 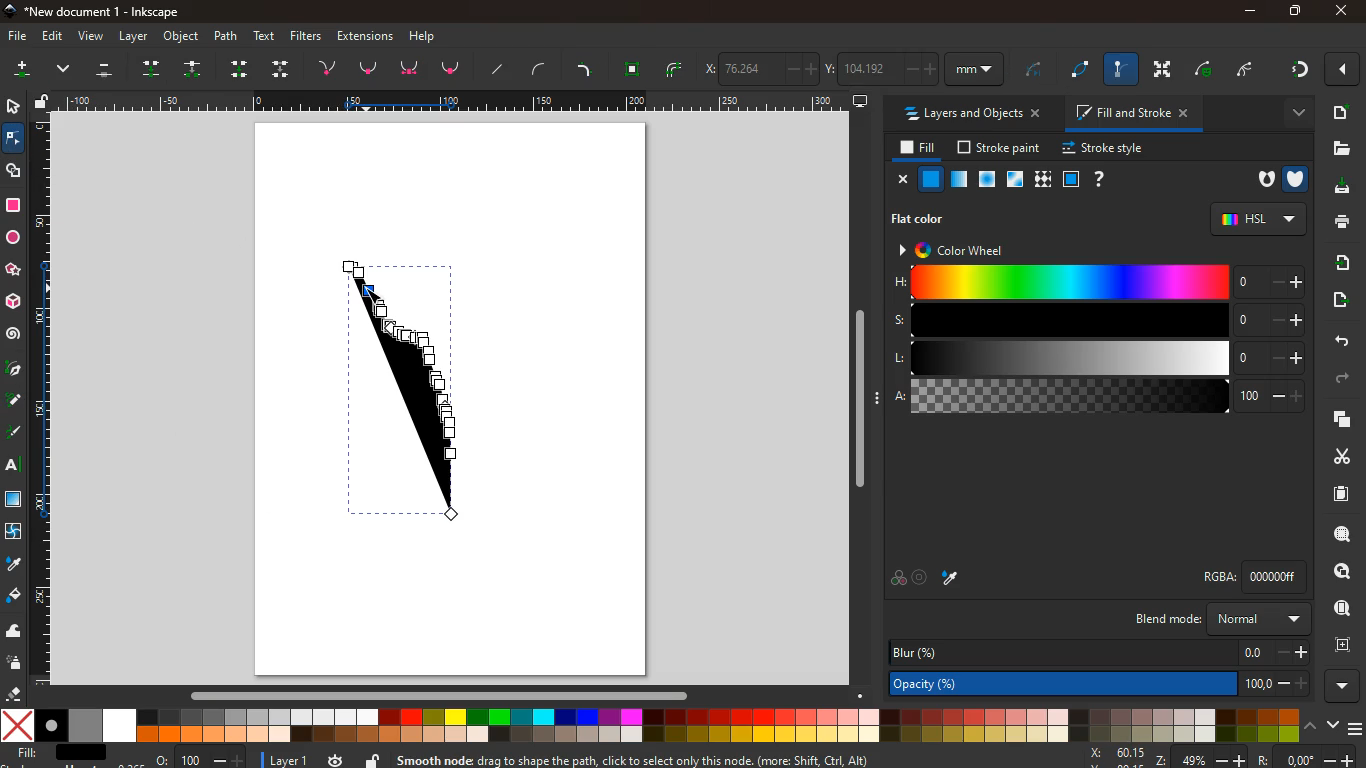 I want to click on filters, so click(x=309, y=36).